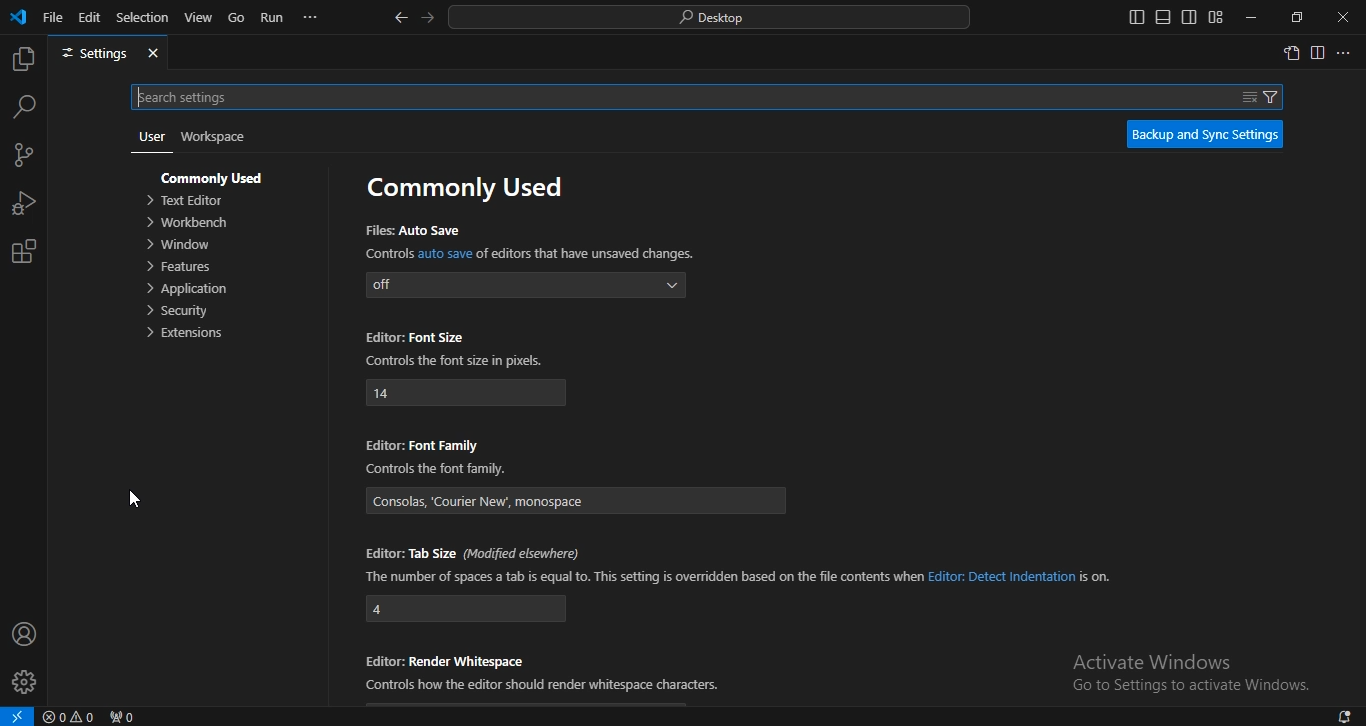  I want to click on customize layout, so click(1217, 16).